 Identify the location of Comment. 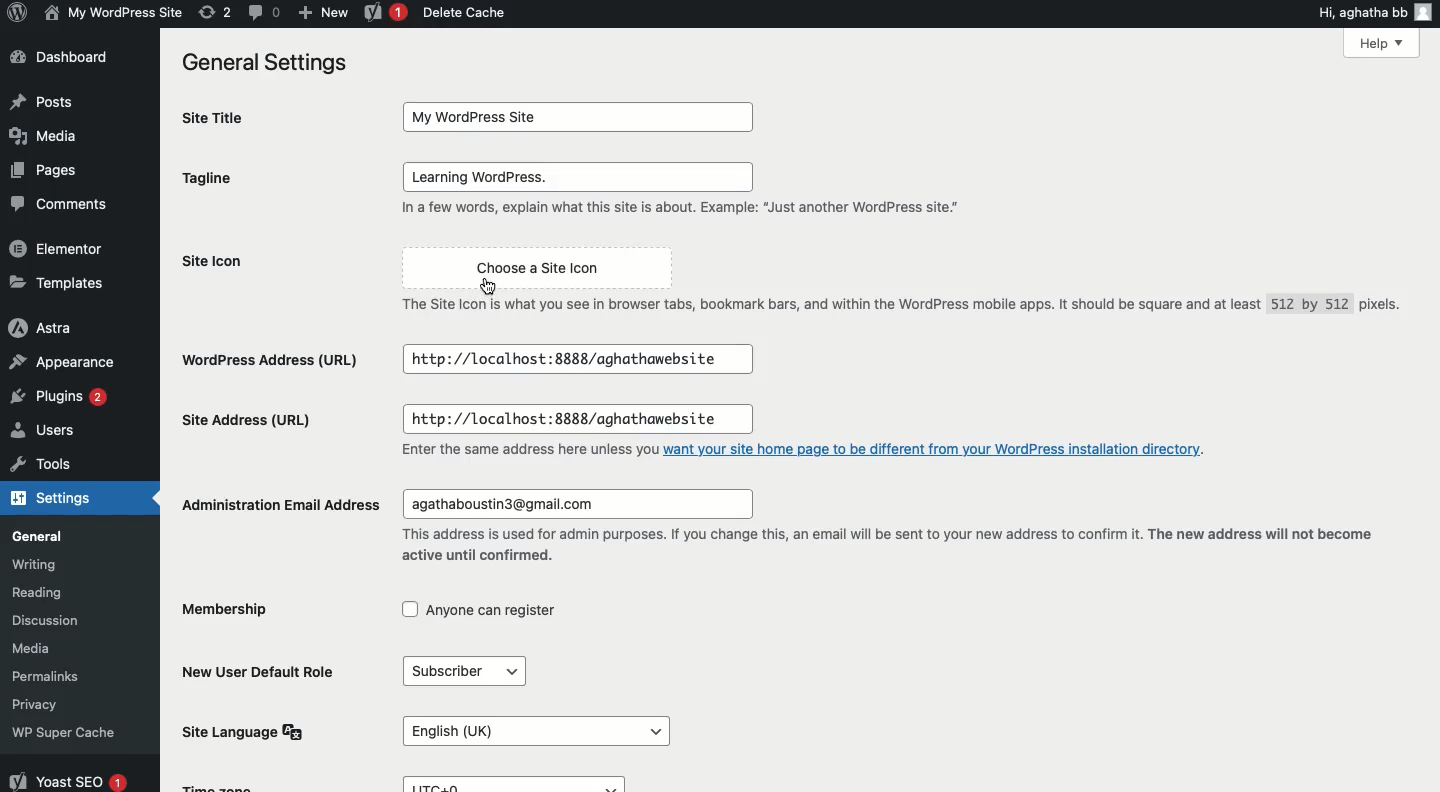
(62, 207).